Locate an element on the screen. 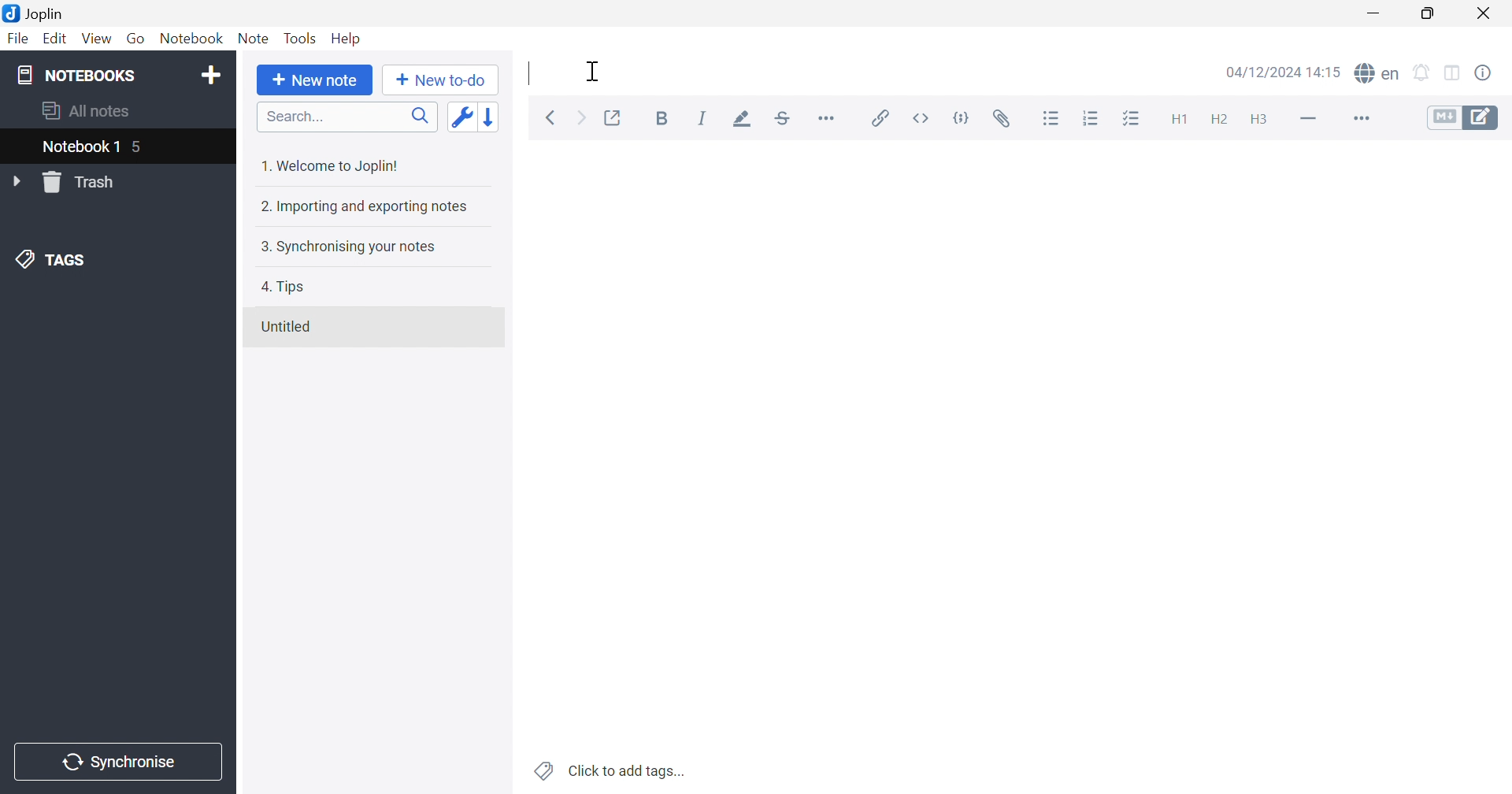 The width and height of the screenshot is (1512, 794). Cursor is located at coordinates (593, 70).